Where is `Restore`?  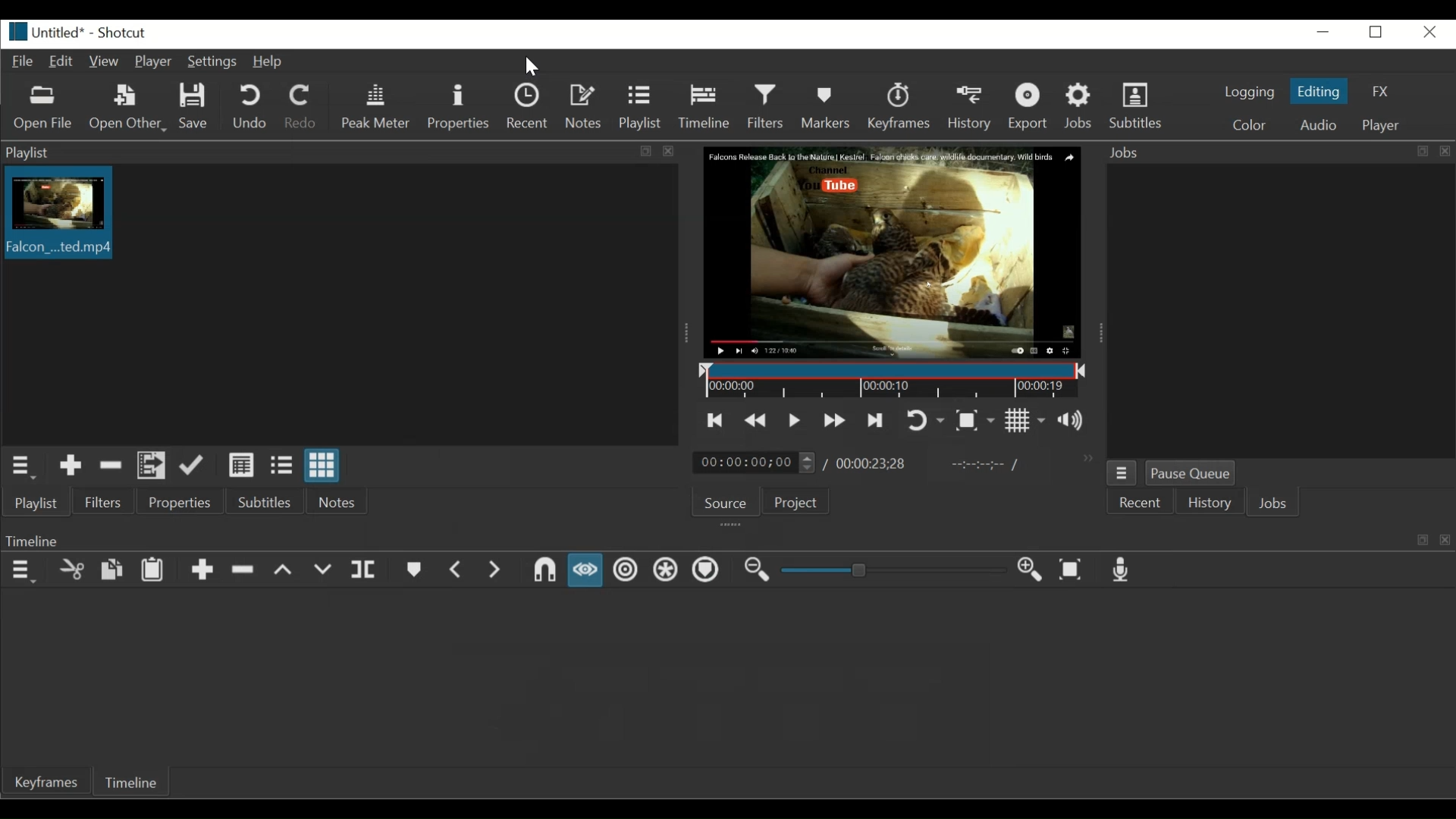
Restore is located at coordinates (1376, 32).